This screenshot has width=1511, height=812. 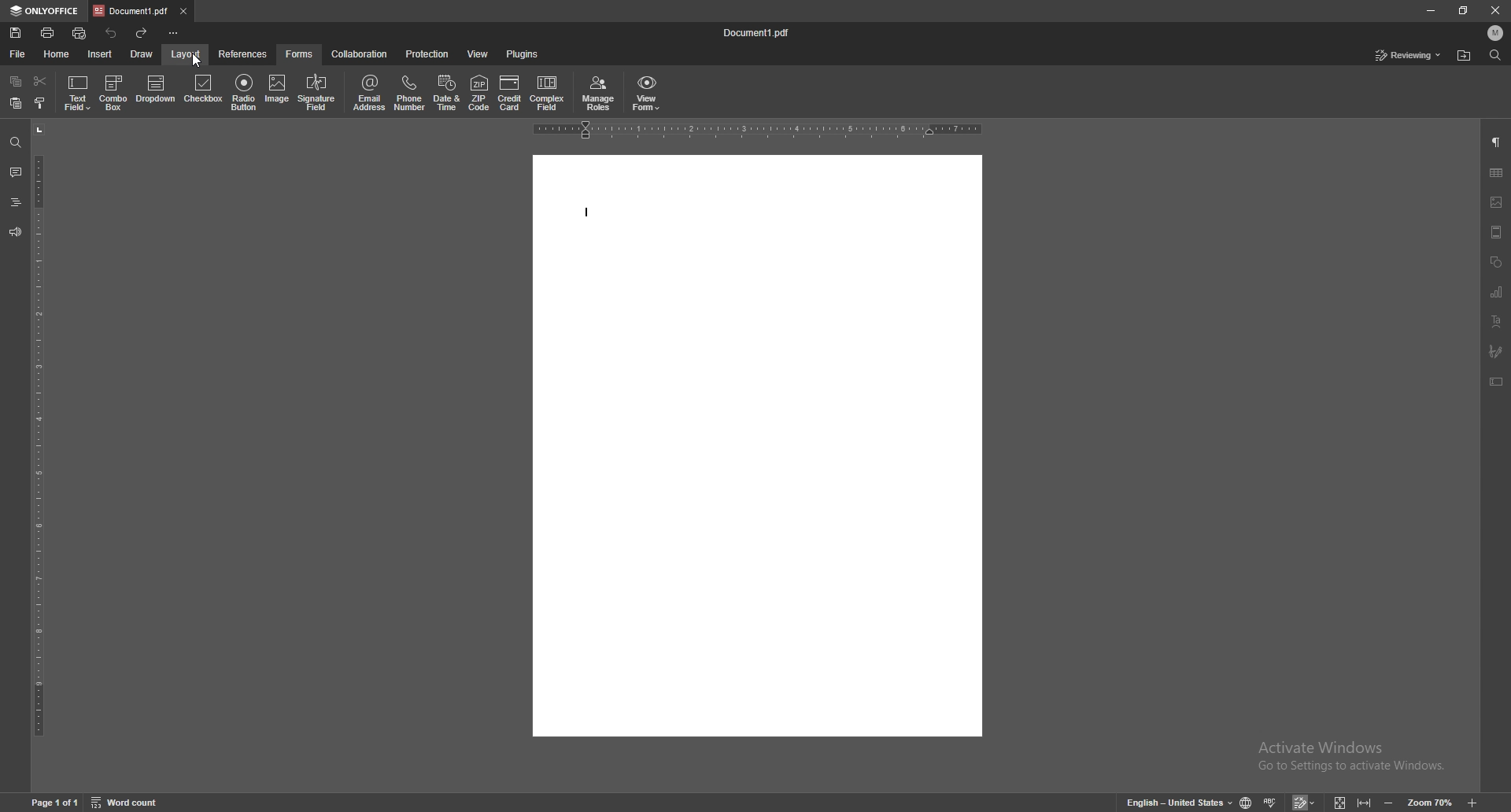 I want to click on onlyoffice, so click(x=45, y=12).